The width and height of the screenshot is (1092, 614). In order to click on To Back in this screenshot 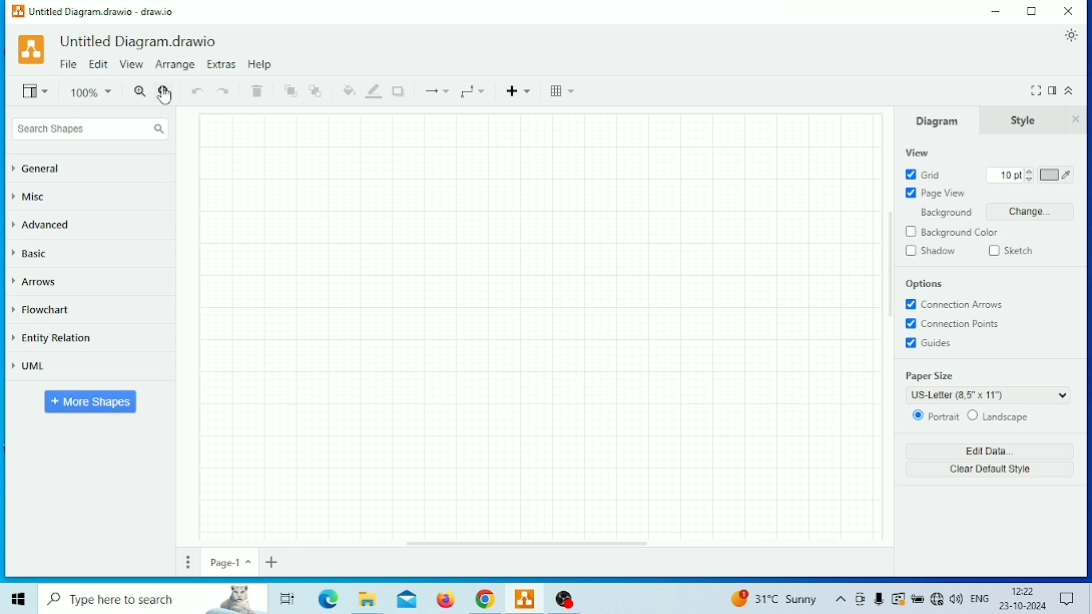, I will do `click(316, 91)`.